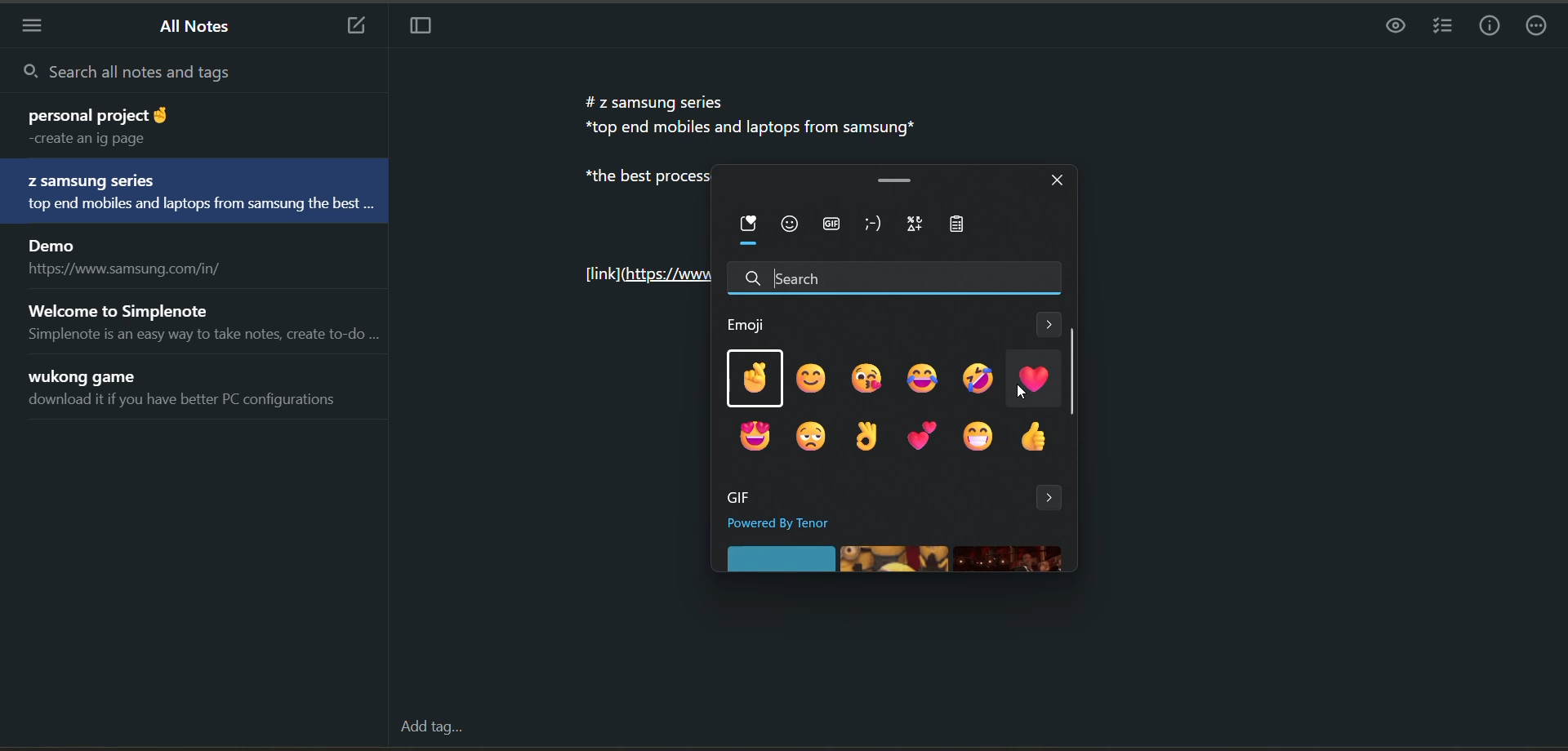  Describe the element at coordinates (752, 113) in the screenshot. I see `data in the current note` at that location.